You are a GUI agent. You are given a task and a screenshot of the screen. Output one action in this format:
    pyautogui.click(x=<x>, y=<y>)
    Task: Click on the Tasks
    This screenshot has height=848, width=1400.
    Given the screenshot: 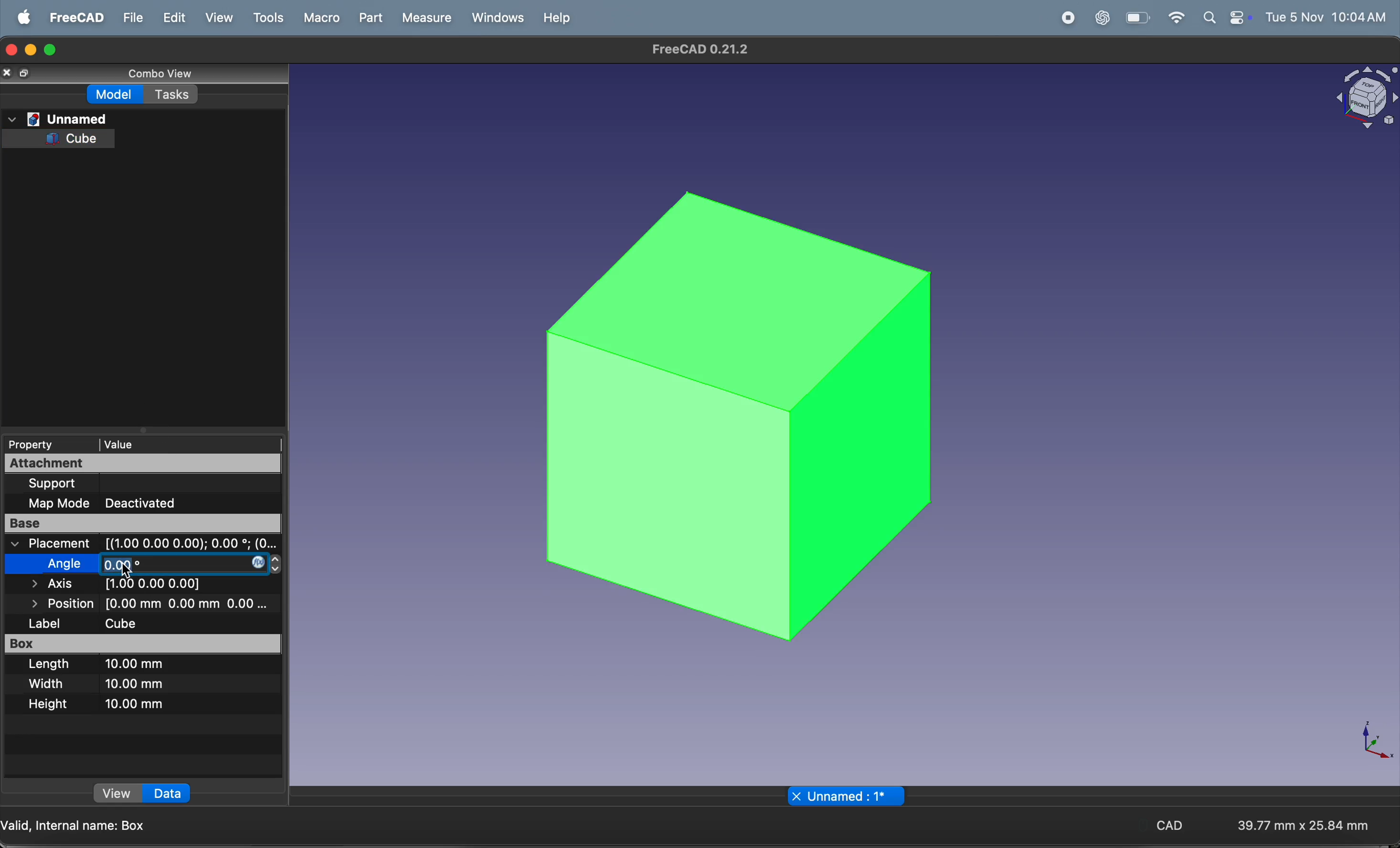 What is the action you would take?
    pyautogui.click(x=174, y=95)
    